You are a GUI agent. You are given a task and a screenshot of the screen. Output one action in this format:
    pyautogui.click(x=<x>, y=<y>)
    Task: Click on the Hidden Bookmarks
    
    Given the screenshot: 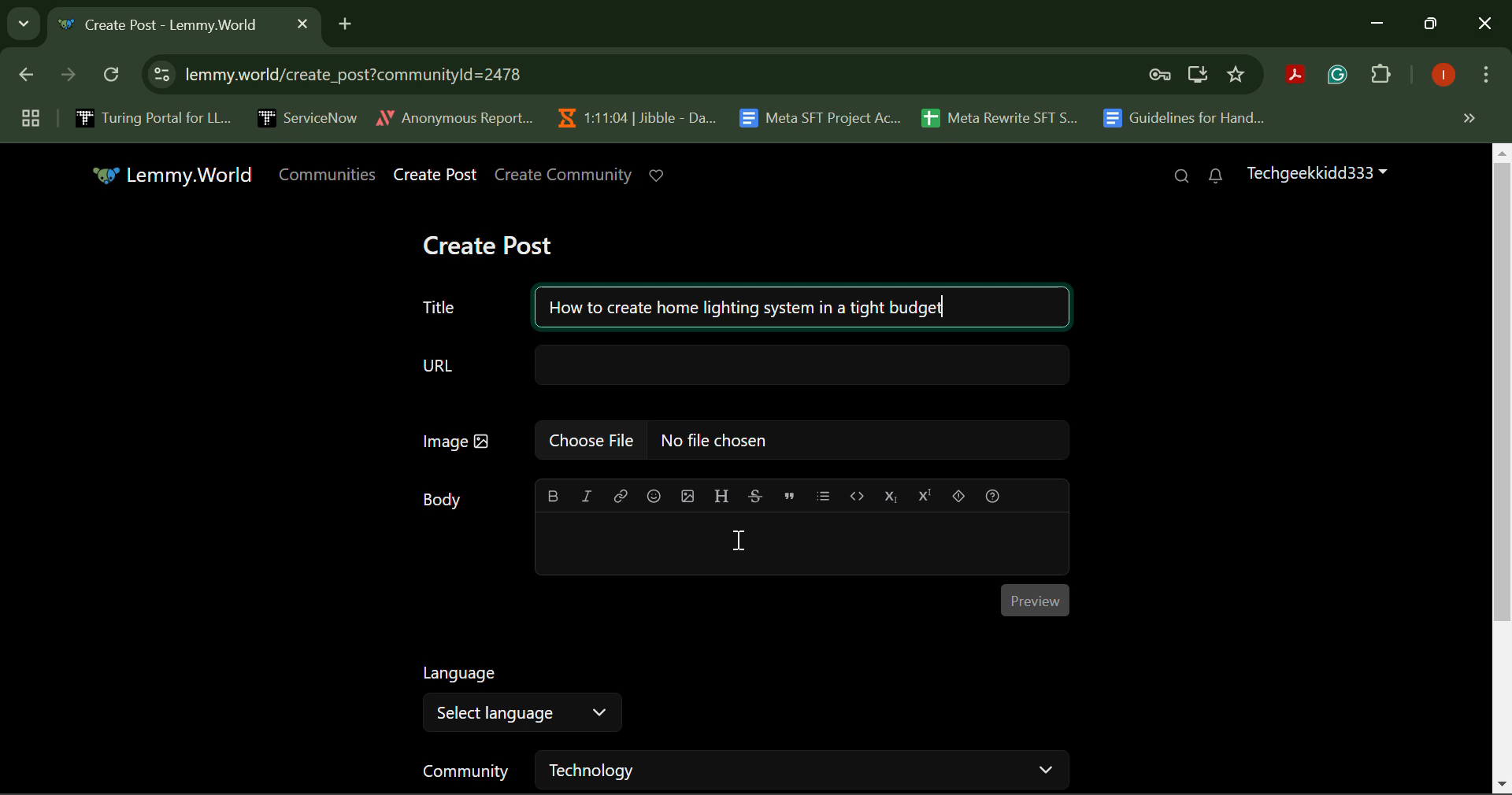 What is the action you would take?
    pyautogui.click(x=1468, y=117)
    